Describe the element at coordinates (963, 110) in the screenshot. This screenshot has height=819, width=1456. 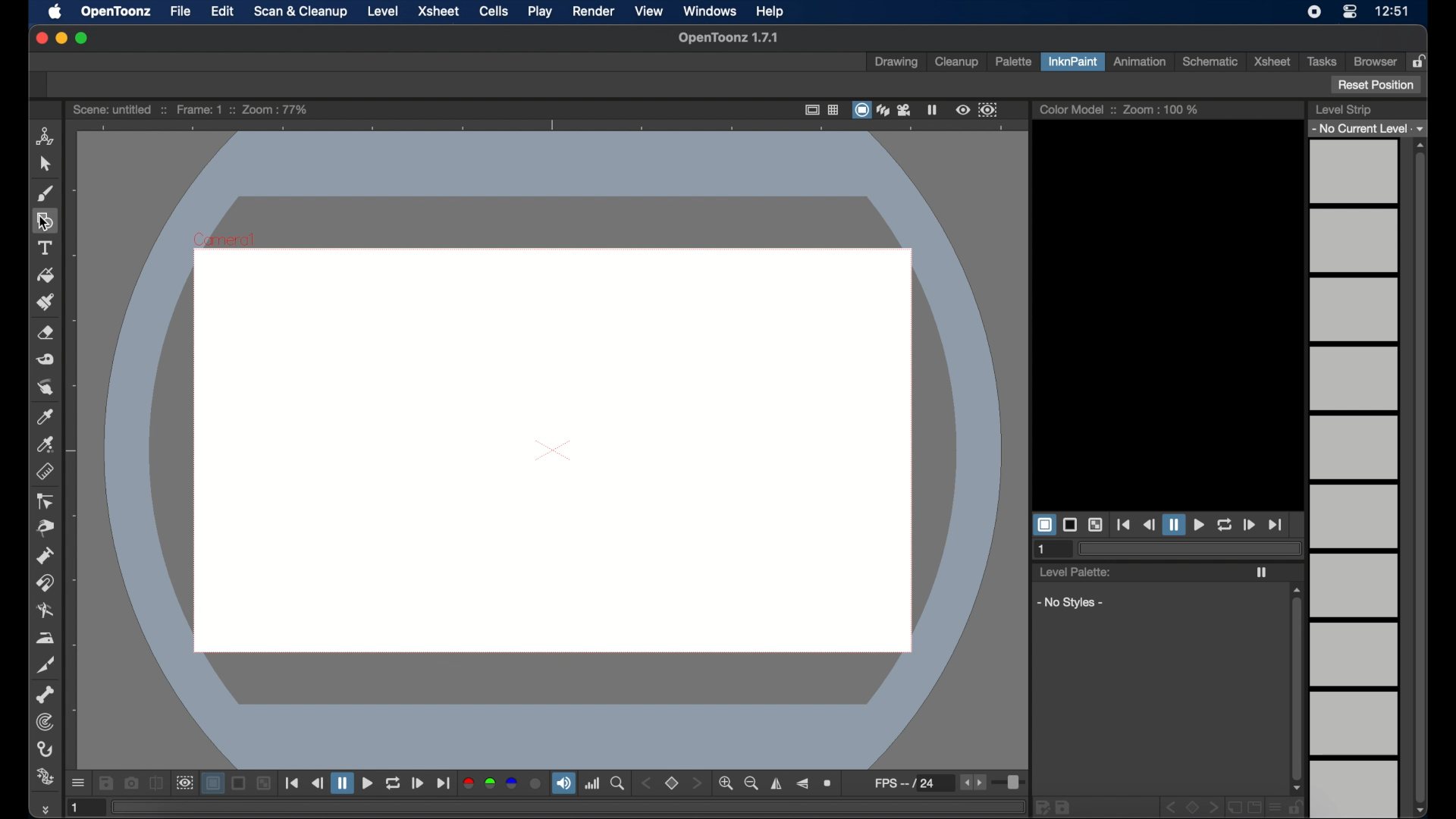
I see `preview` at that location.